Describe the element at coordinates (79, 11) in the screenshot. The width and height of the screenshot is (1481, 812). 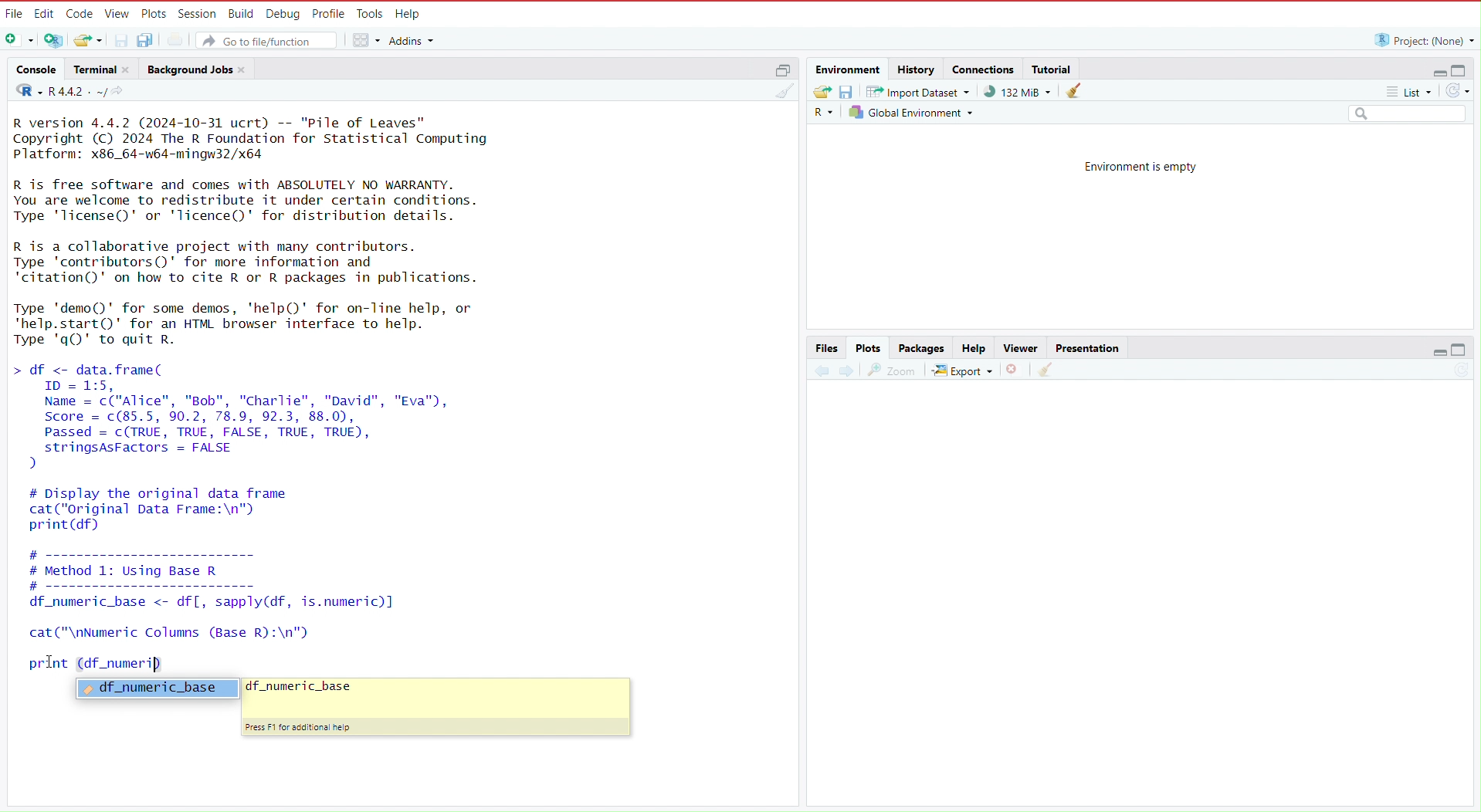
I see `Code` at that location.